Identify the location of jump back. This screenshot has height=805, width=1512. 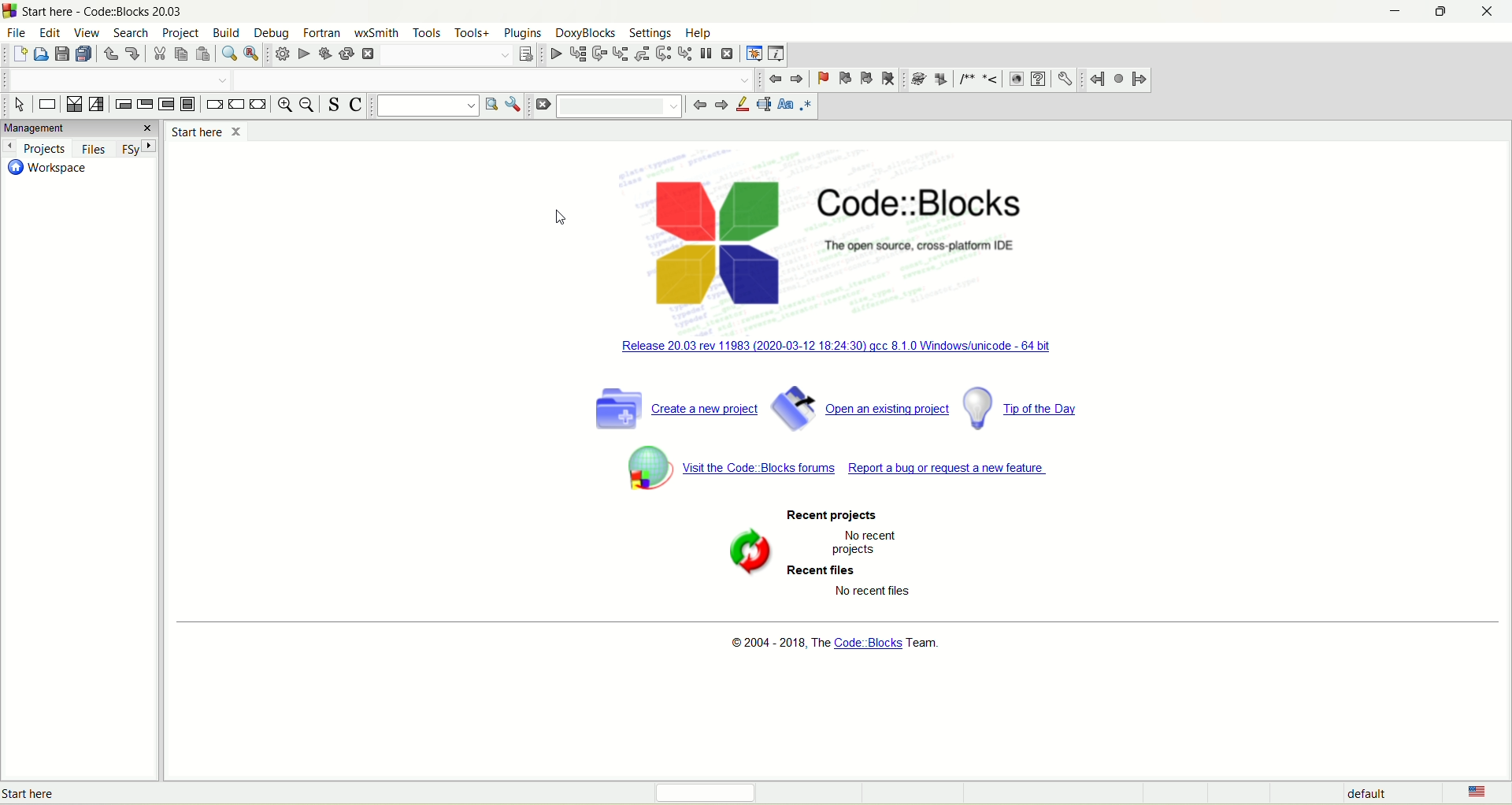
(1099, 79).